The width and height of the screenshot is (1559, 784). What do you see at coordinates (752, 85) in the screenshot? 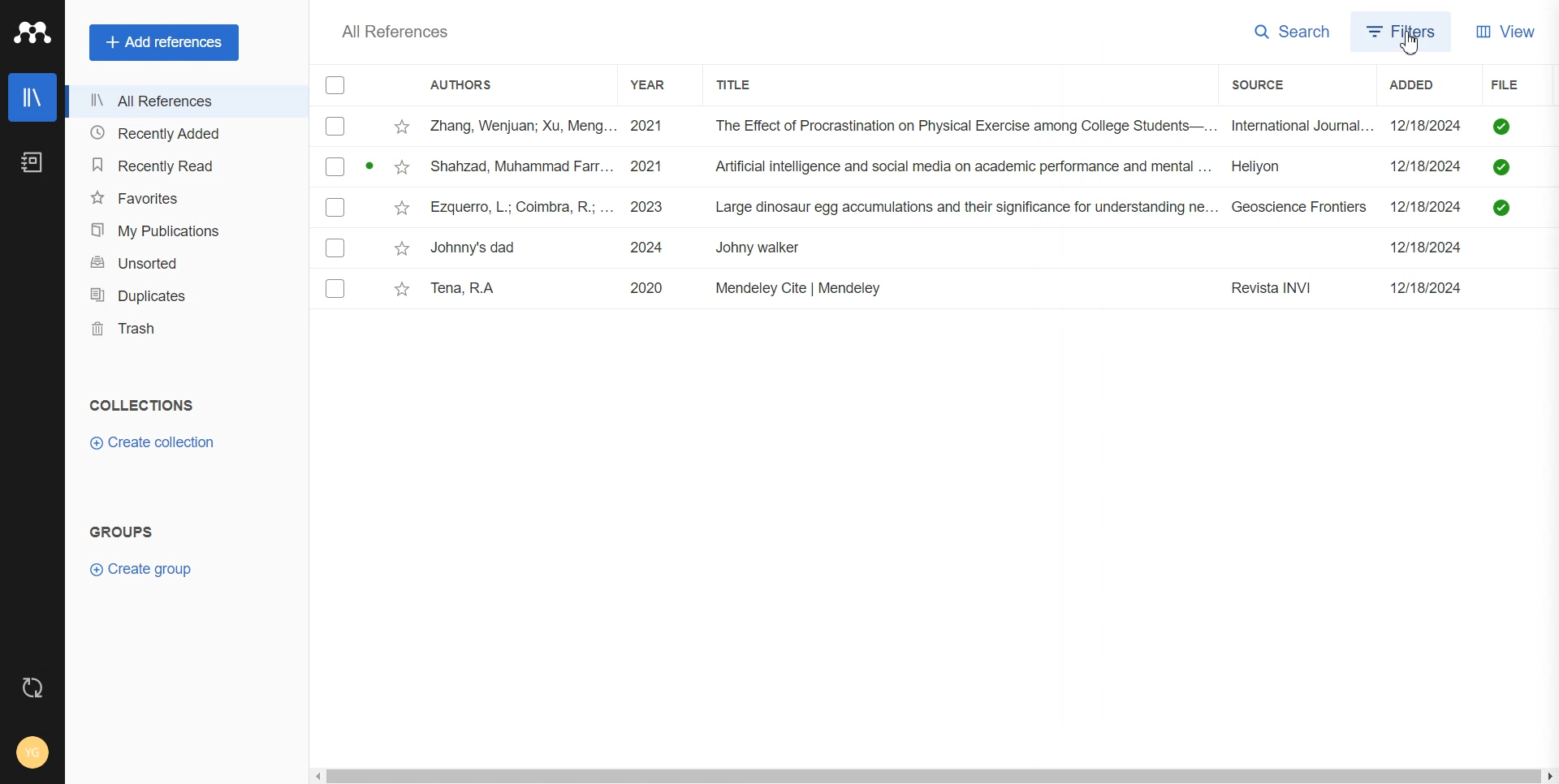
I see `Title` at bounding box center [752, 85].